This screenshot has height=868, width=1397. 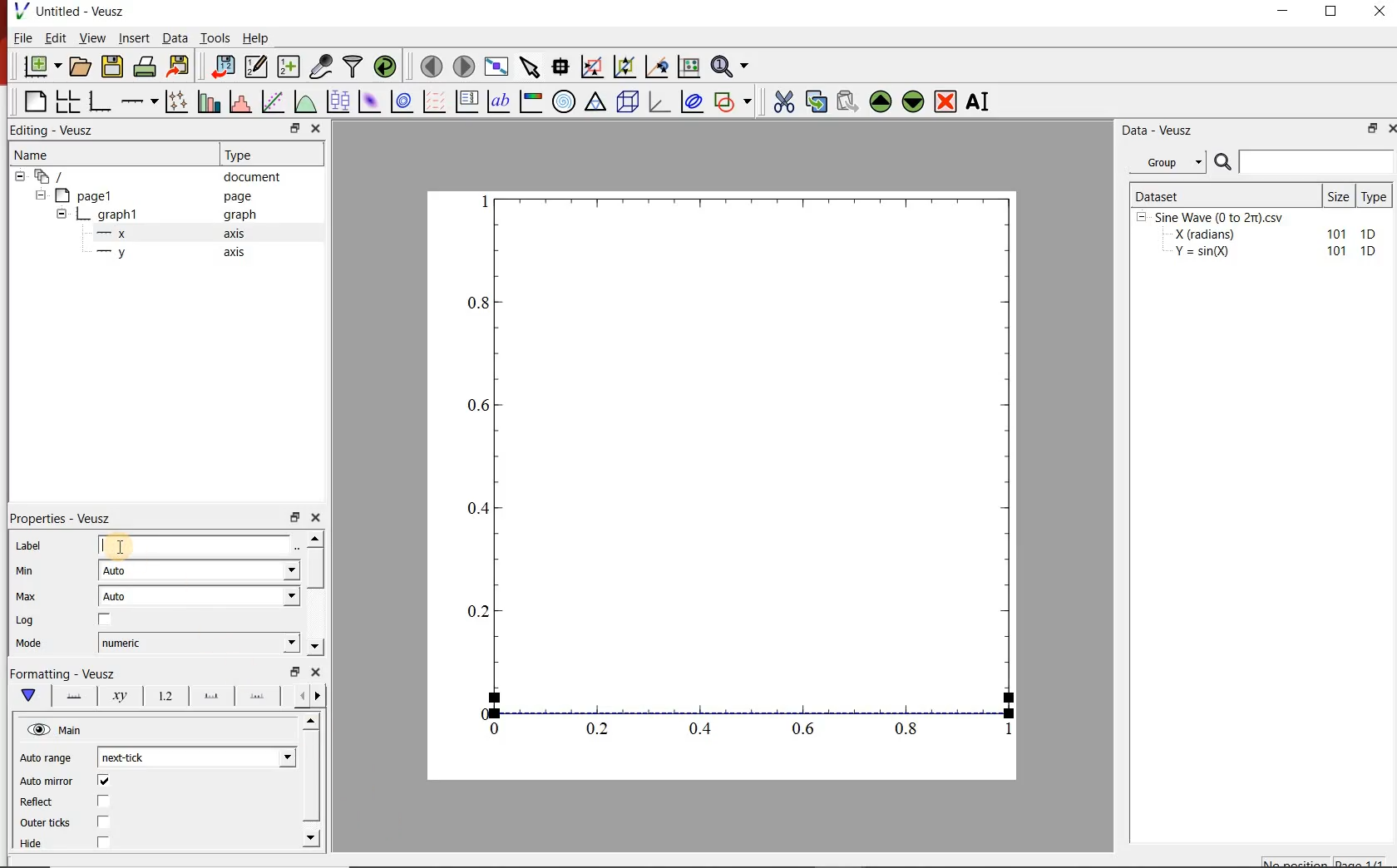 I want to click on edit and enter new datasets, so click(x=257, y=67).